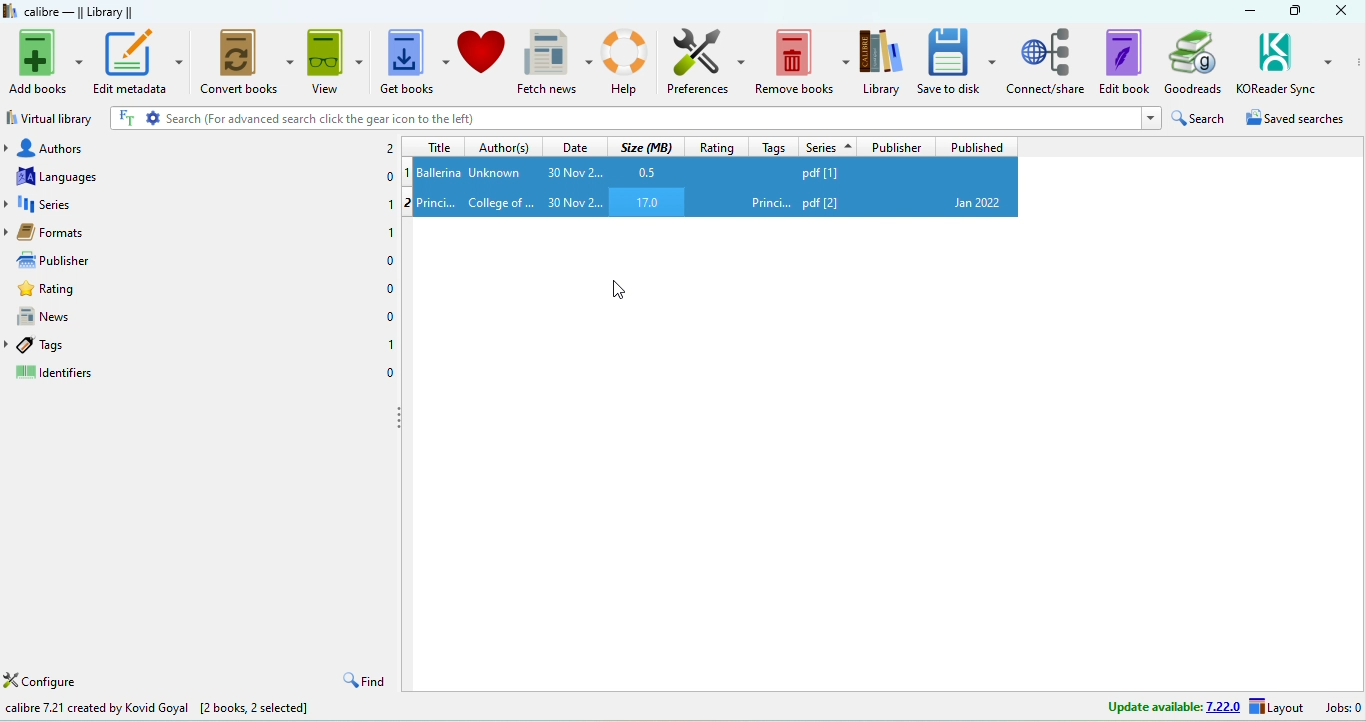 The image size is (1366, 722). I want to click on authors, so click(80, 146).